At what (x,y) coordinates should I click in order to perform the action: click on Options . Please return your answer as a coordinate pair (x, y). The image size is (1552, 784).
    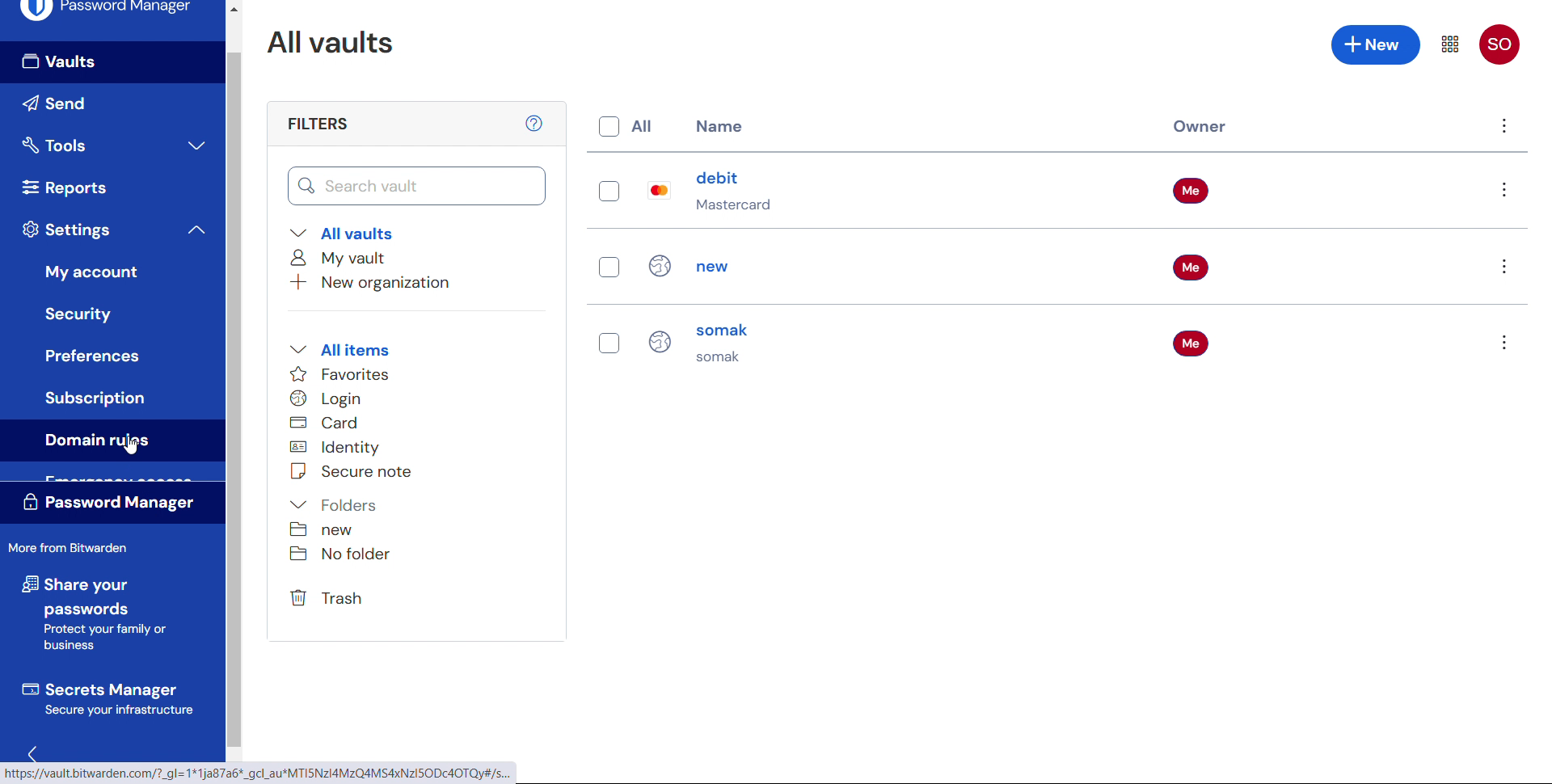
    Looking at the image, I should click on (1505, 125).